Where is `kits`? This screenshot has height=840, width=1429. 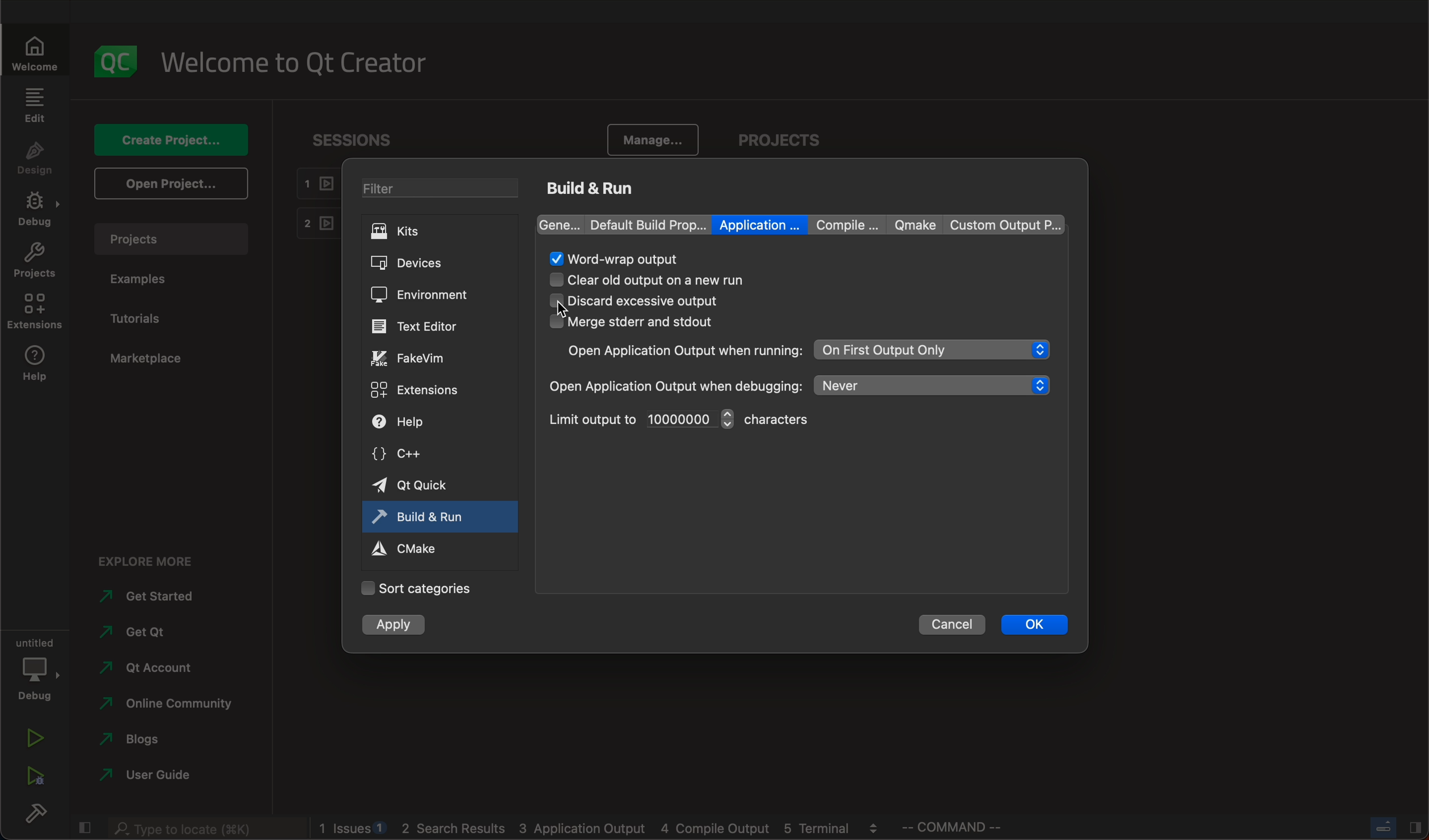 kits is located at coordinates (439, 231).